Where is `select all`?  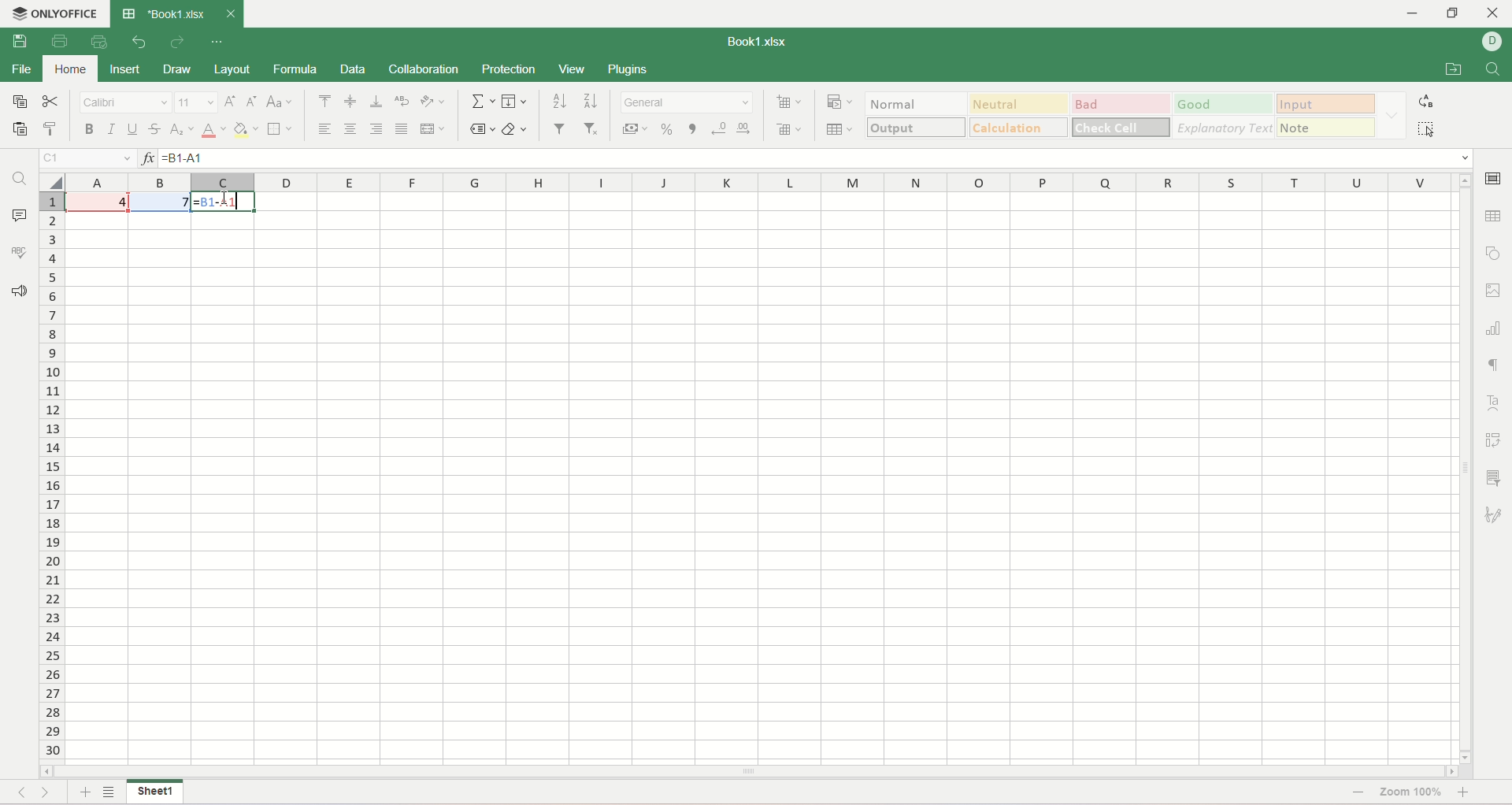 select all is located at coordinates (1426, 128).